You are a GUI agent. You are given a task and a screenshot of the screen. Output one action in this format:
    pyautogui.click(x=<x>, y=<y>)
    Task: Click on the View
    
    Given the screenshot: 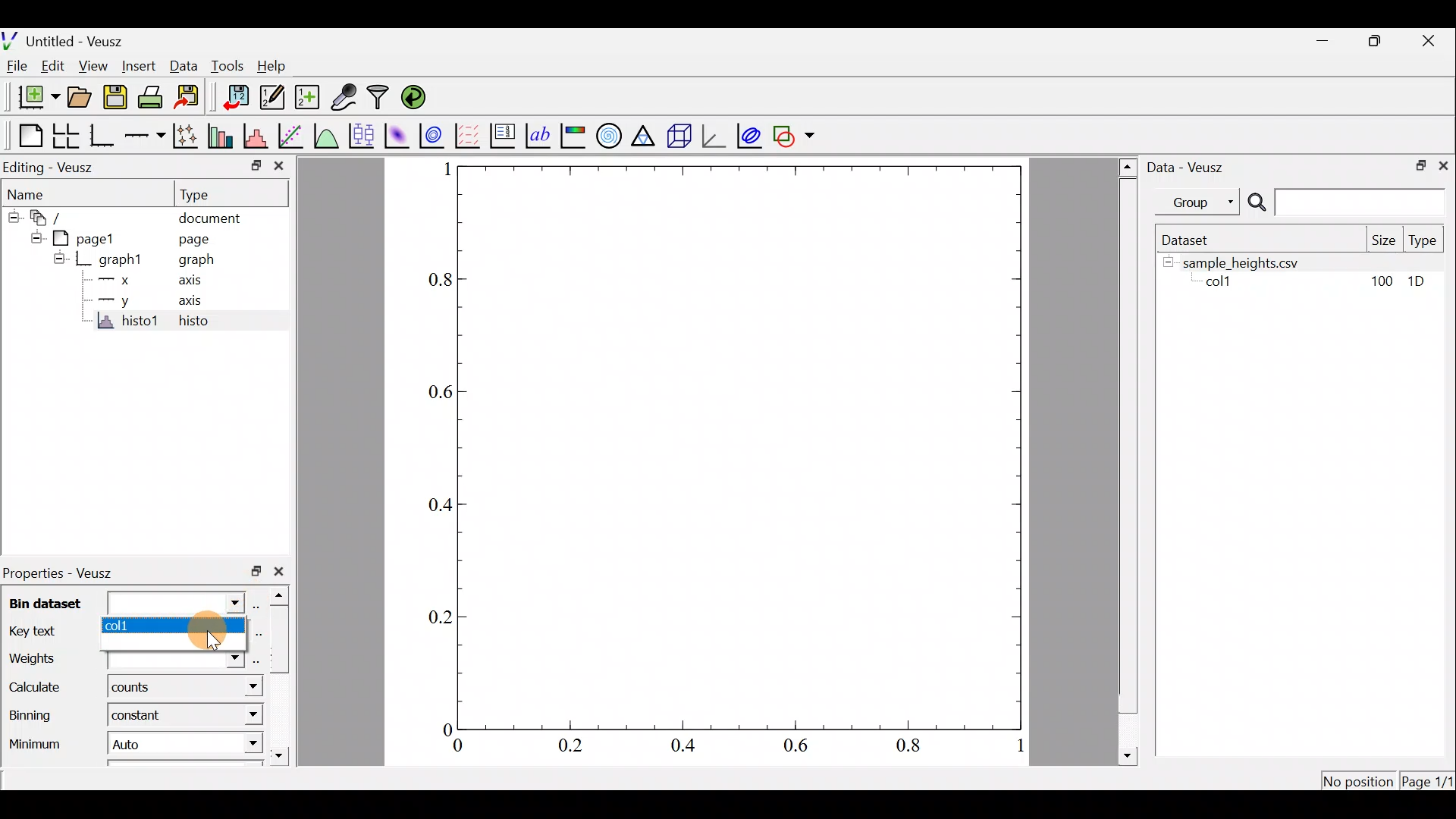 What is the action you would take?
    pyautogui.click(x=93, y=67)
    